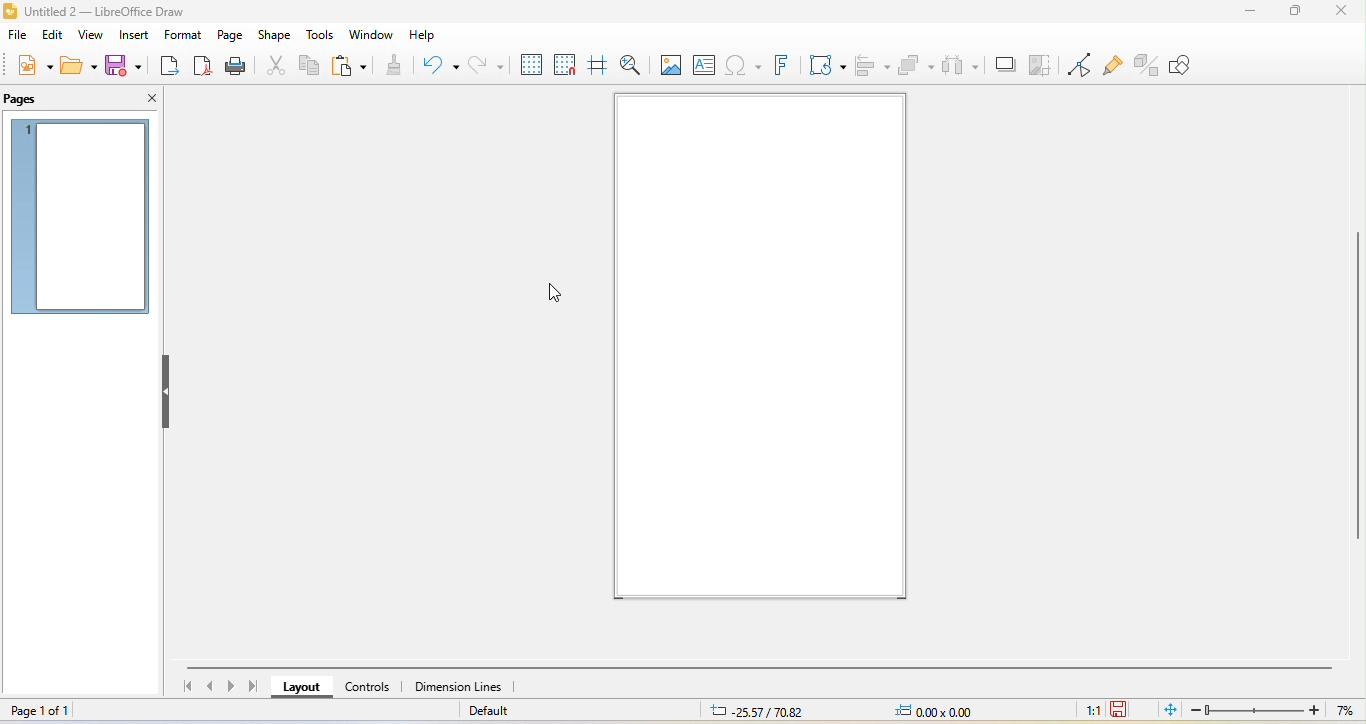 This screenshot has width=1366, height=724. Describe the element at coordinates (89, 37) in the screenshot. I see `view` at that location.